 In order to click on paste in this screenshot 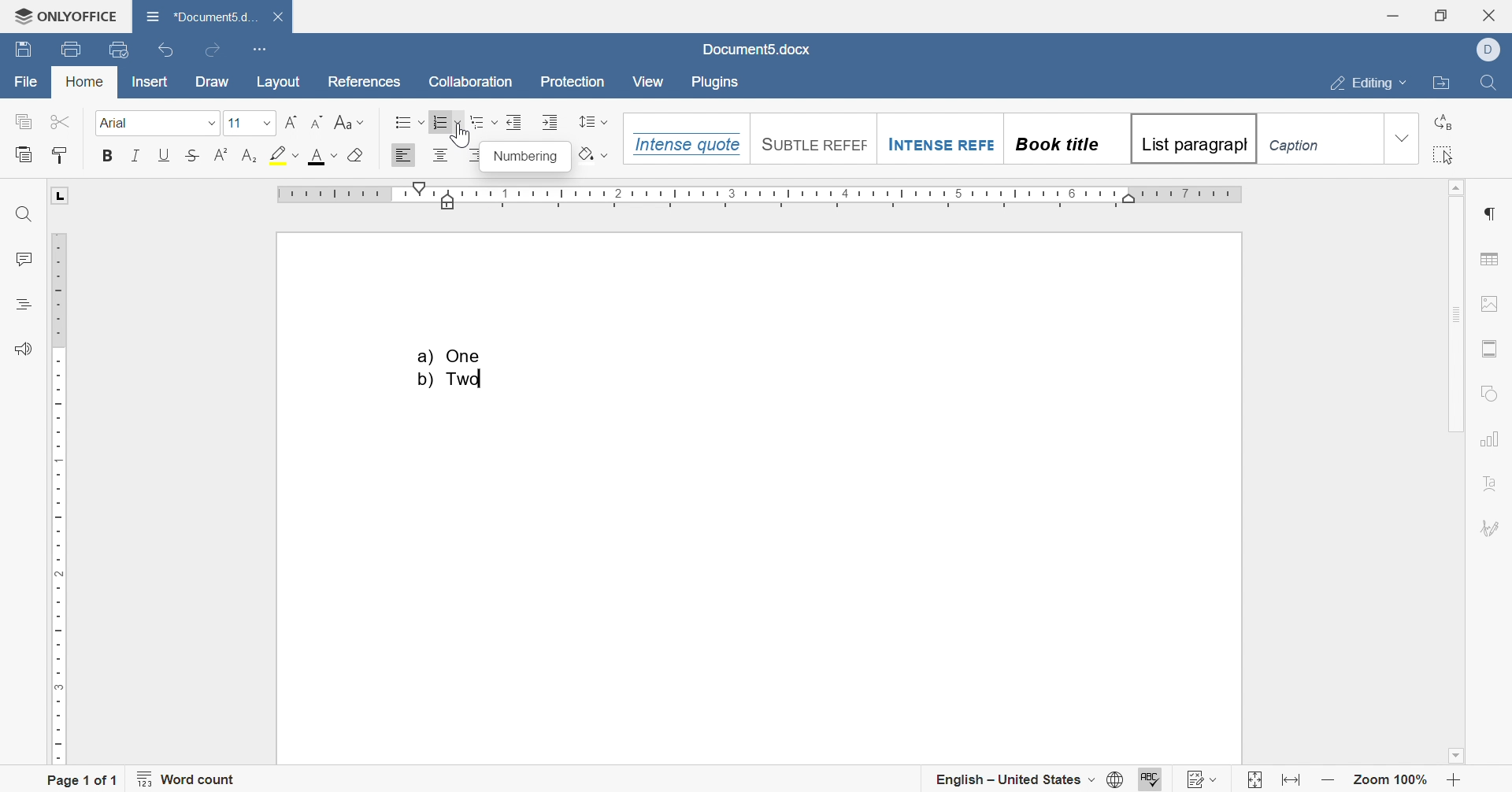, I will do `click(23, 153)`.